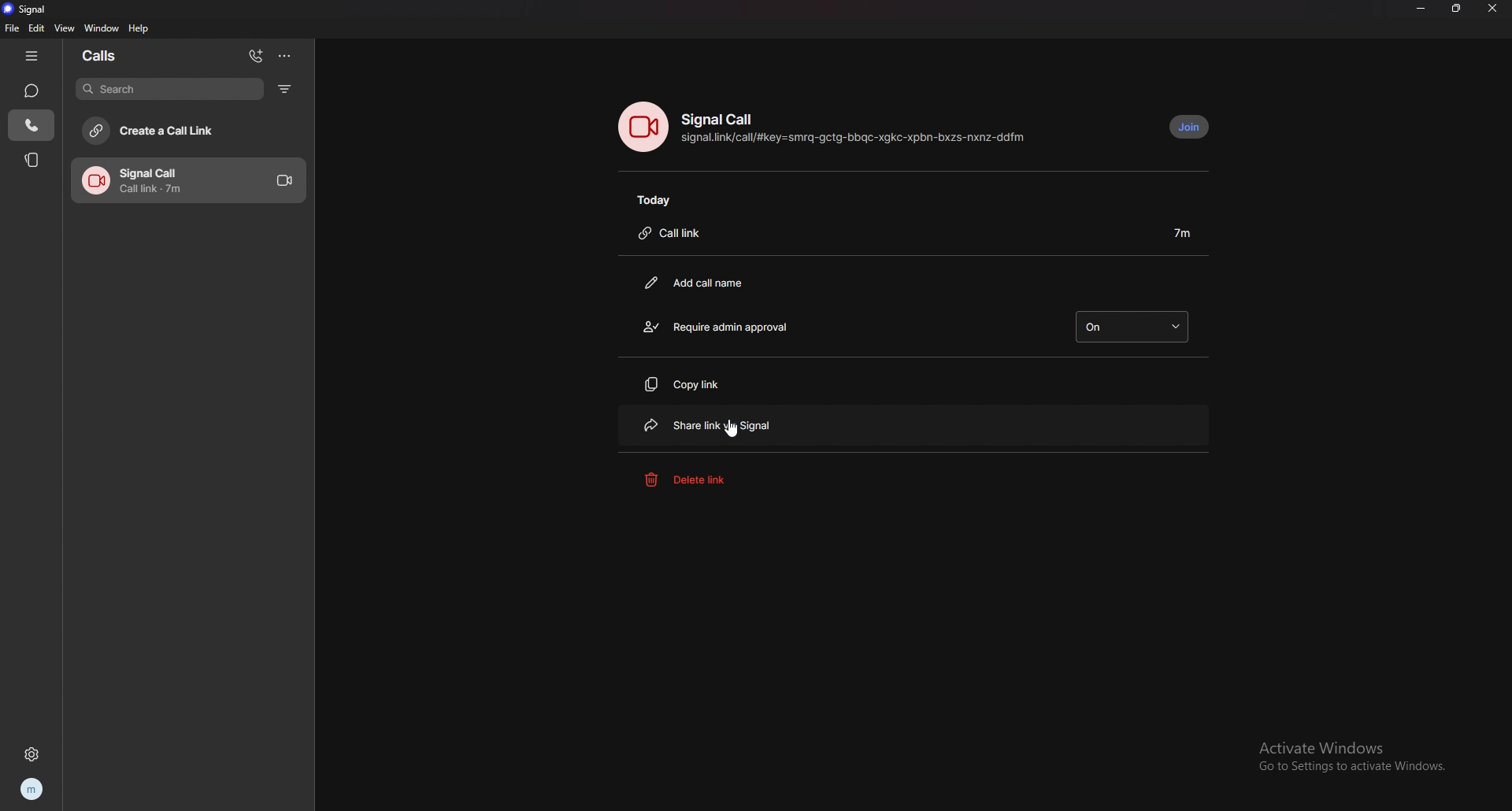  Describe the element at coordinates (1182, 232) in the screenshot. I see `duration` at that location.